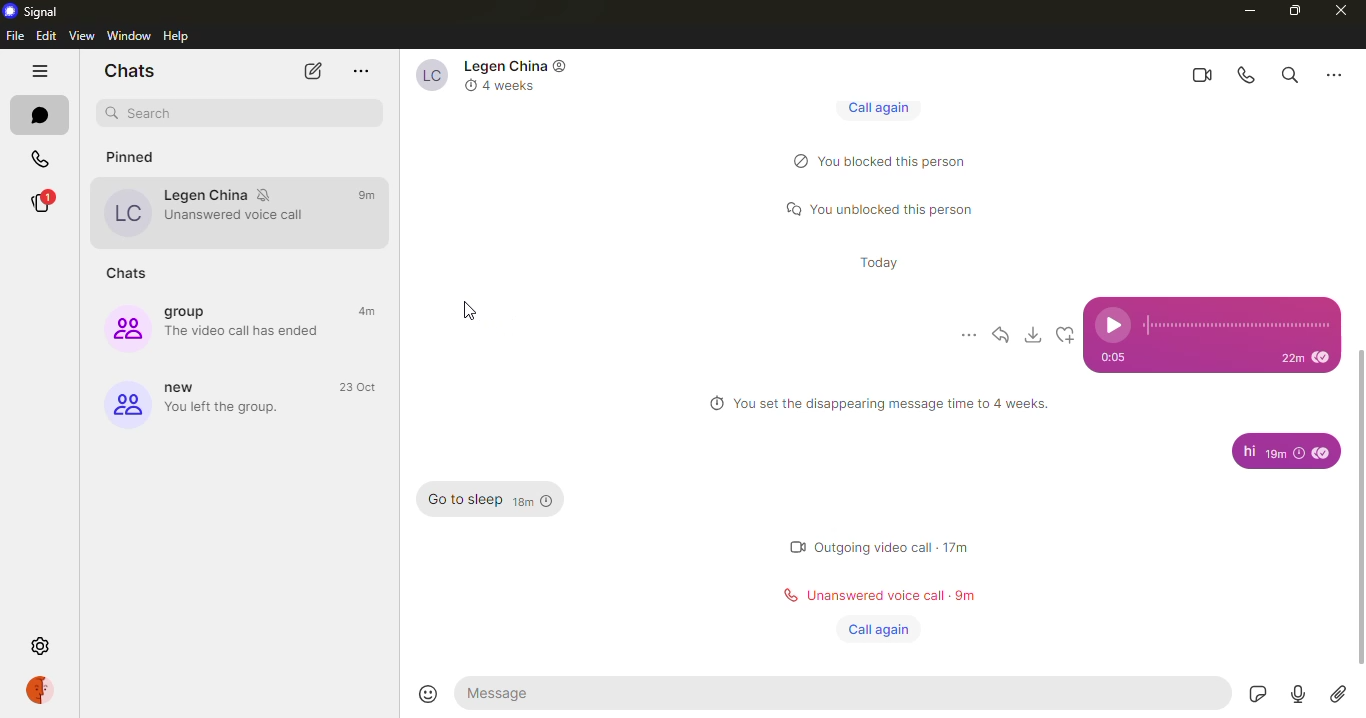  I want to click on pinned, so click(140, 159).